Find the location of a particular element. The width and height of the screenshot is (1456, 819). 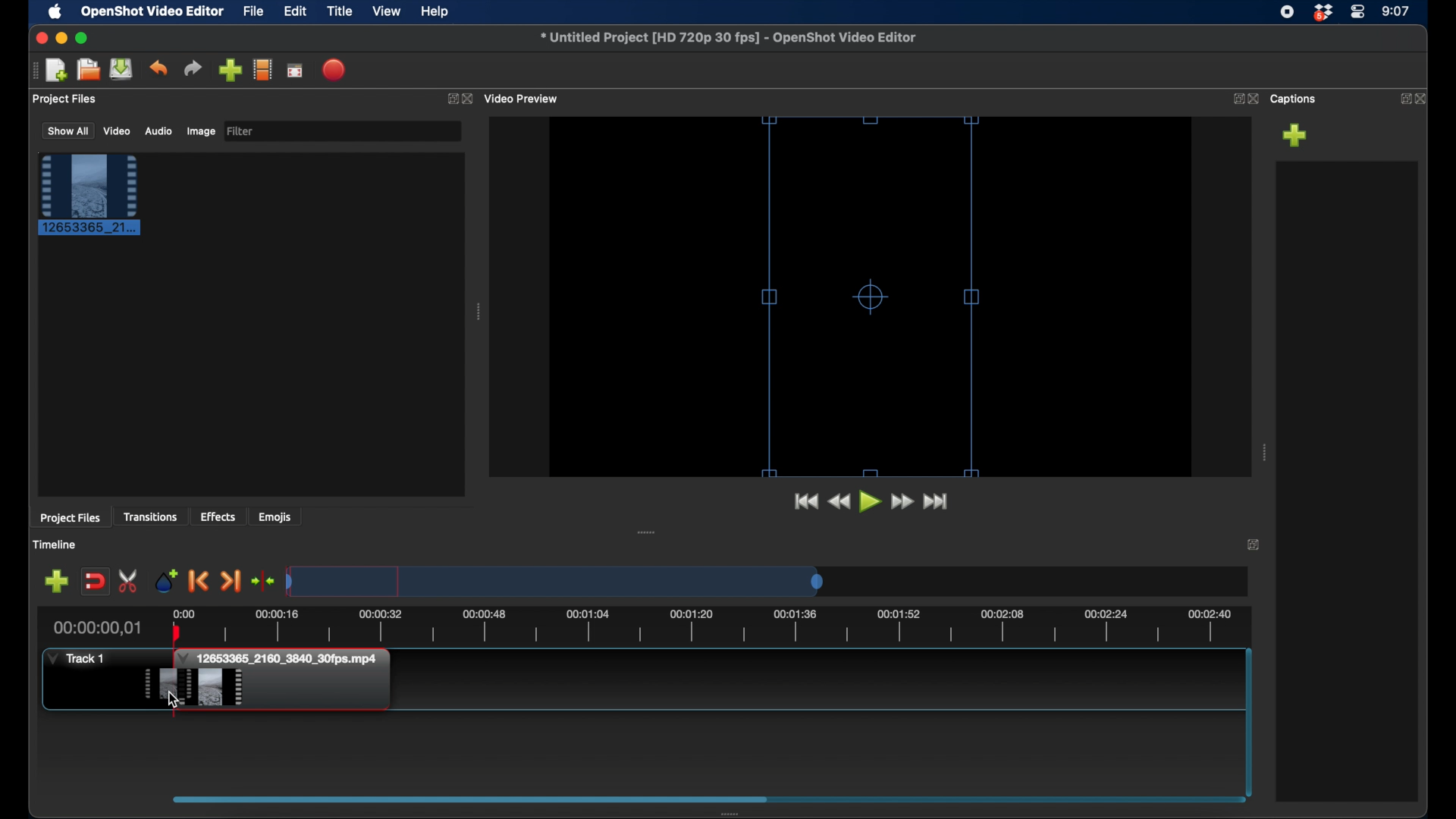

0.00 is located at coordinates (182, 612).